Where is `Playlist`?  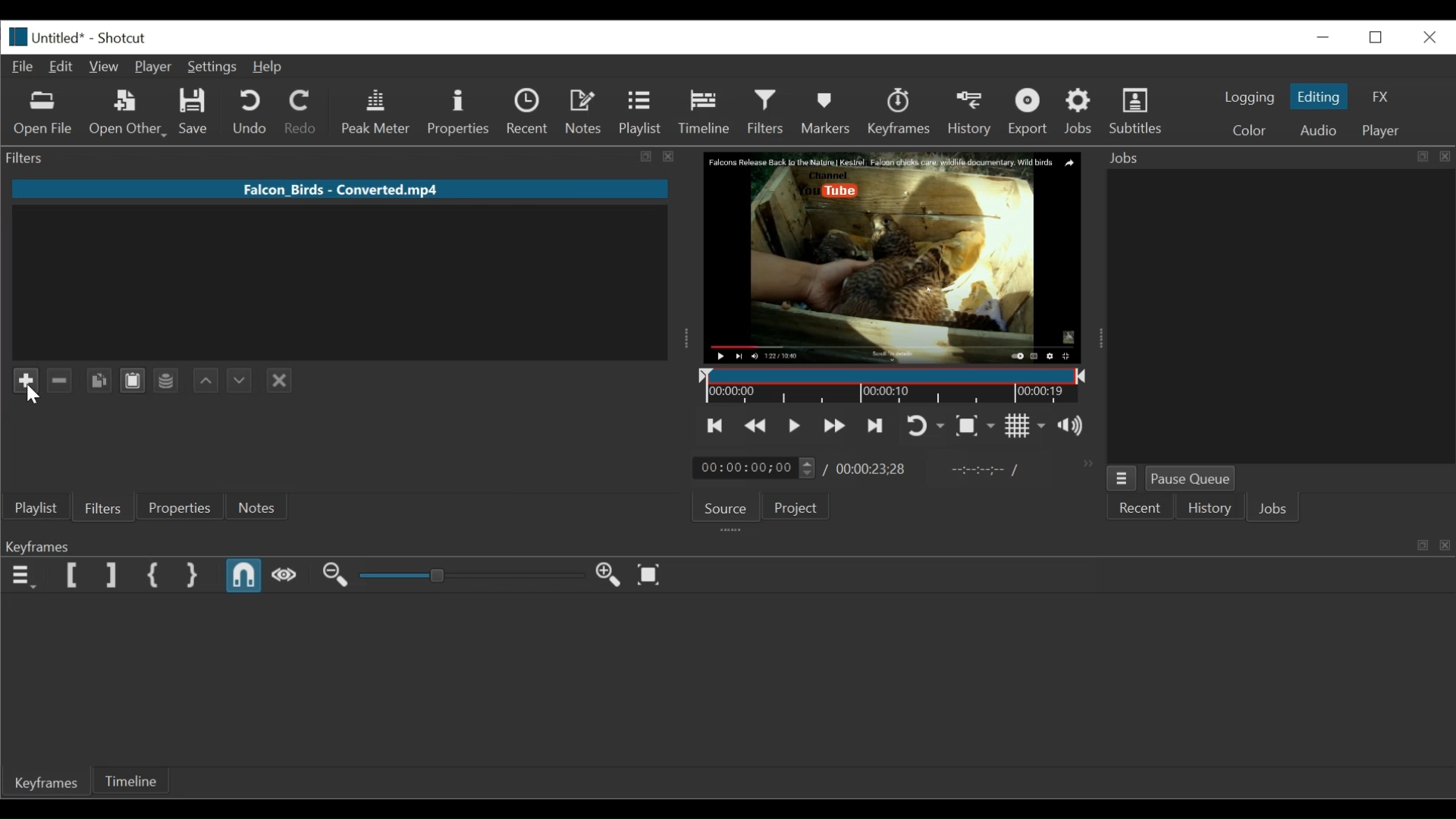 Playlist is located at coordinates (640, 114).